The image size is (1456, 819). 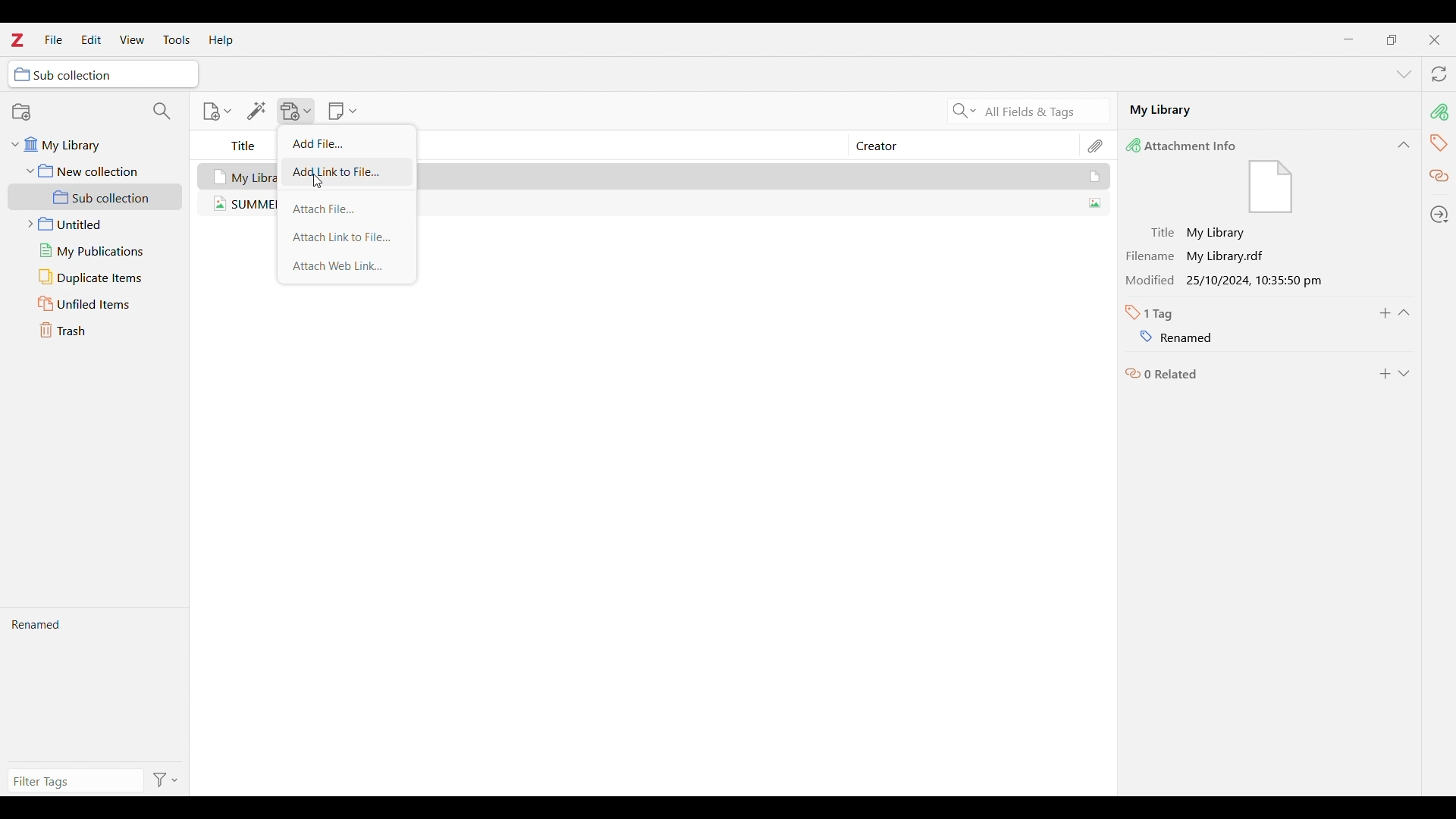 What do you see at coordinates (1439, 143) in the screenshot?
I see `Tags` at bounding box center [1439, 143].